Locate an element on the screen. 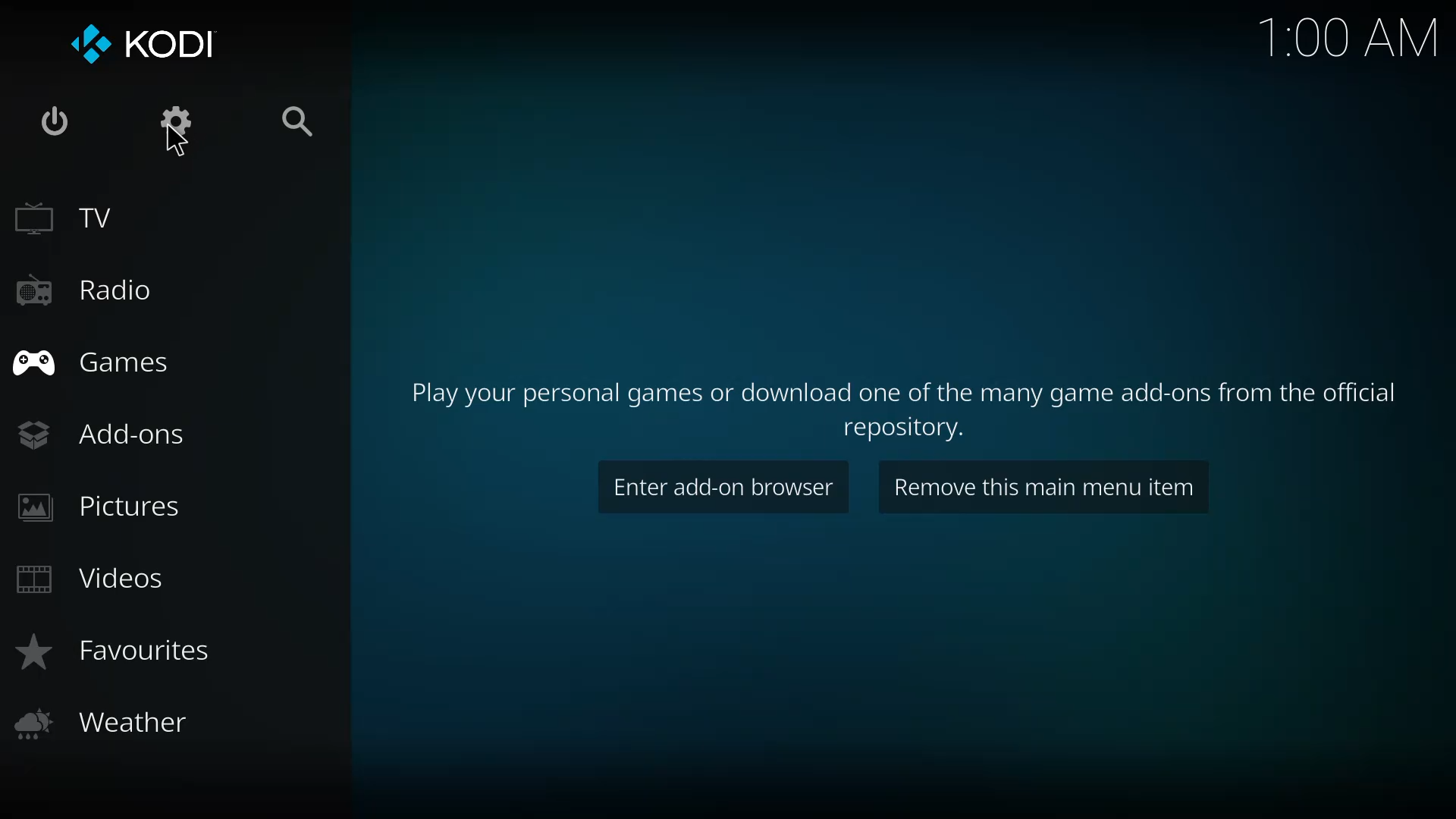  info is located at coordinates (902, 406).